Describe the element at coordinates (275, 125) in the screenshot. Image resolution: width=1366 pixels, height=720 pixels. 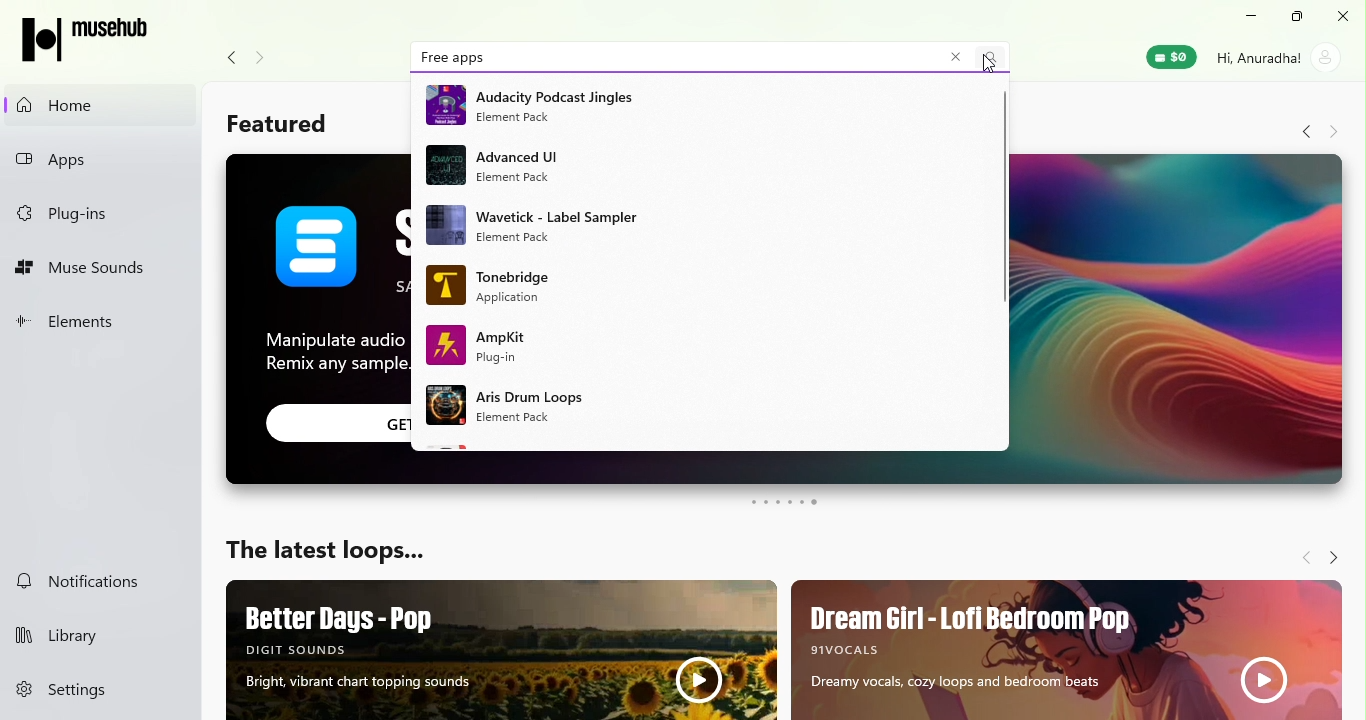
I see `Featured` at that location.